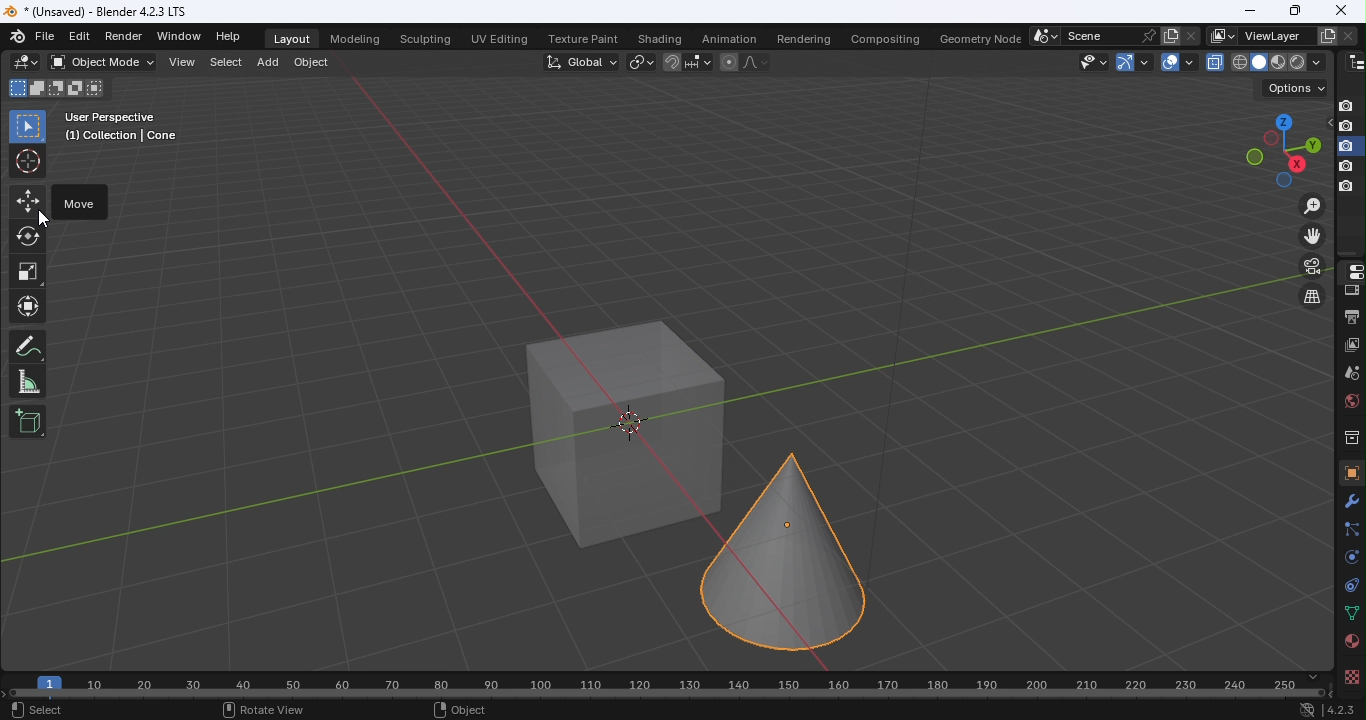  What do you see at coordinates (1311, 205) in the screenshot?
I see `Zoon in or out in the view` at bounding box center [1311, 205].